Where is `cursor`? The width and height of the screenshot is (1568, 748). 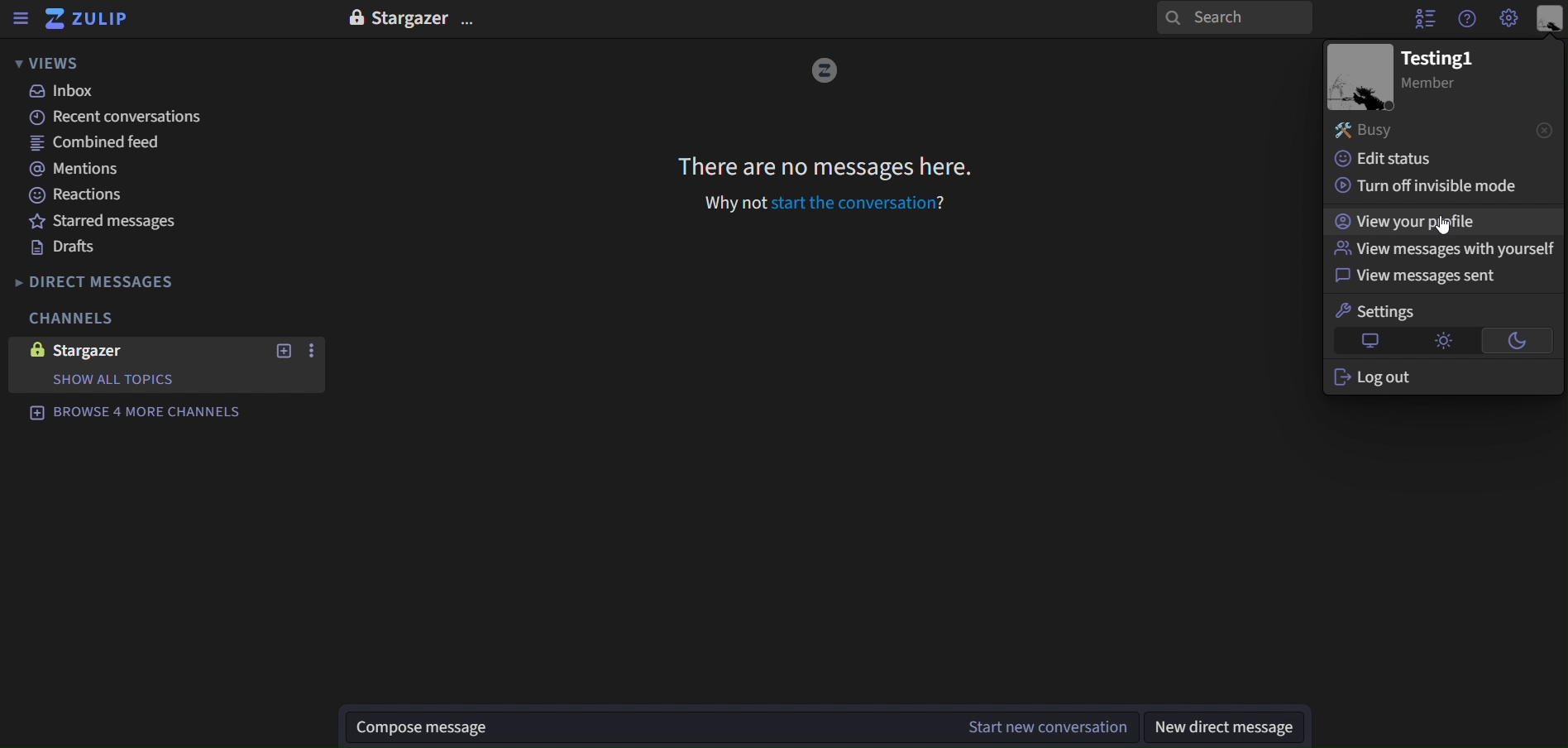 cursor is located at coordinates (1447, 225).